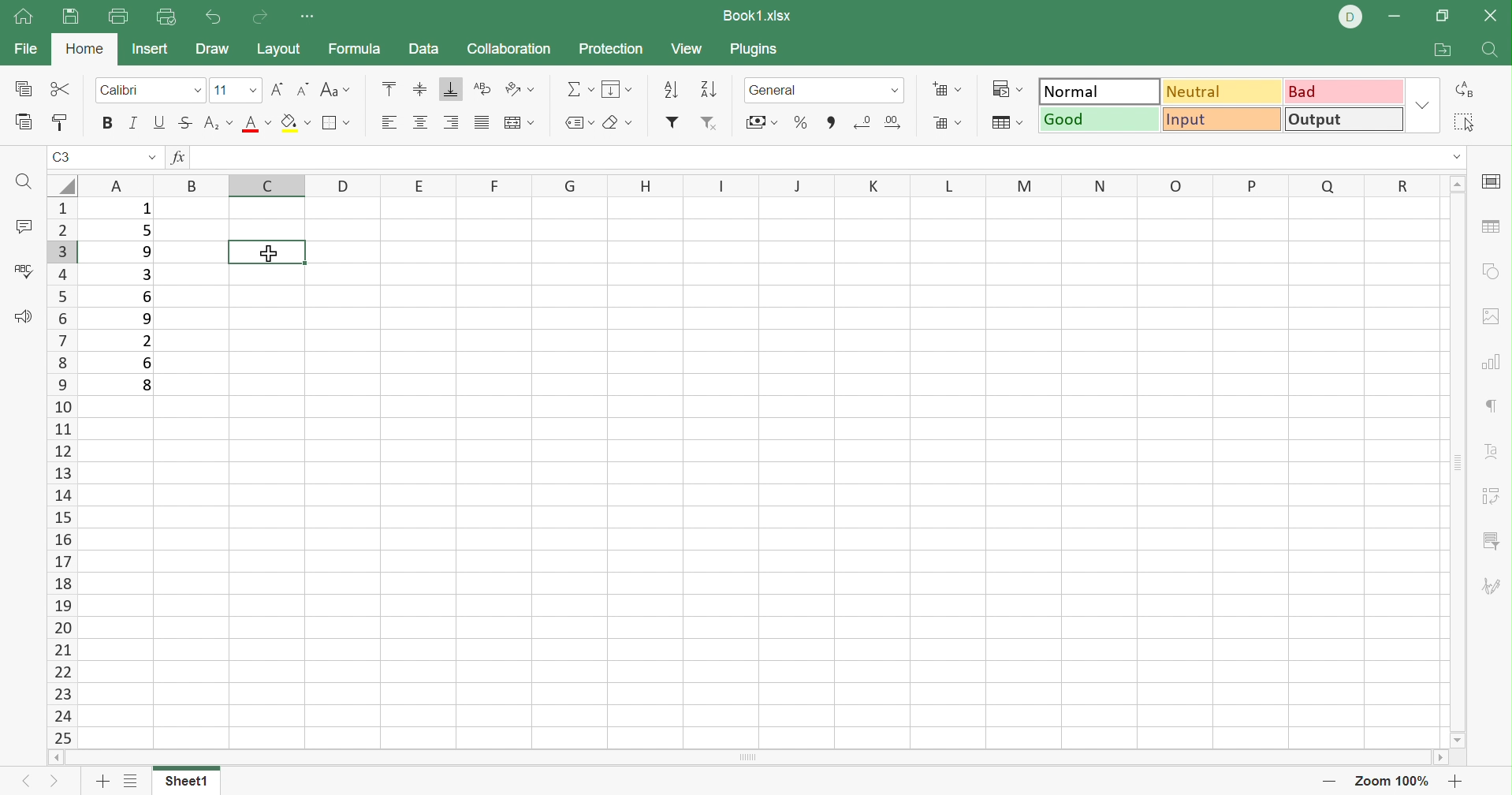  Describe the element at coordinates (1494, 406) in the screenshot. I see `Paragraph settings` at that location.